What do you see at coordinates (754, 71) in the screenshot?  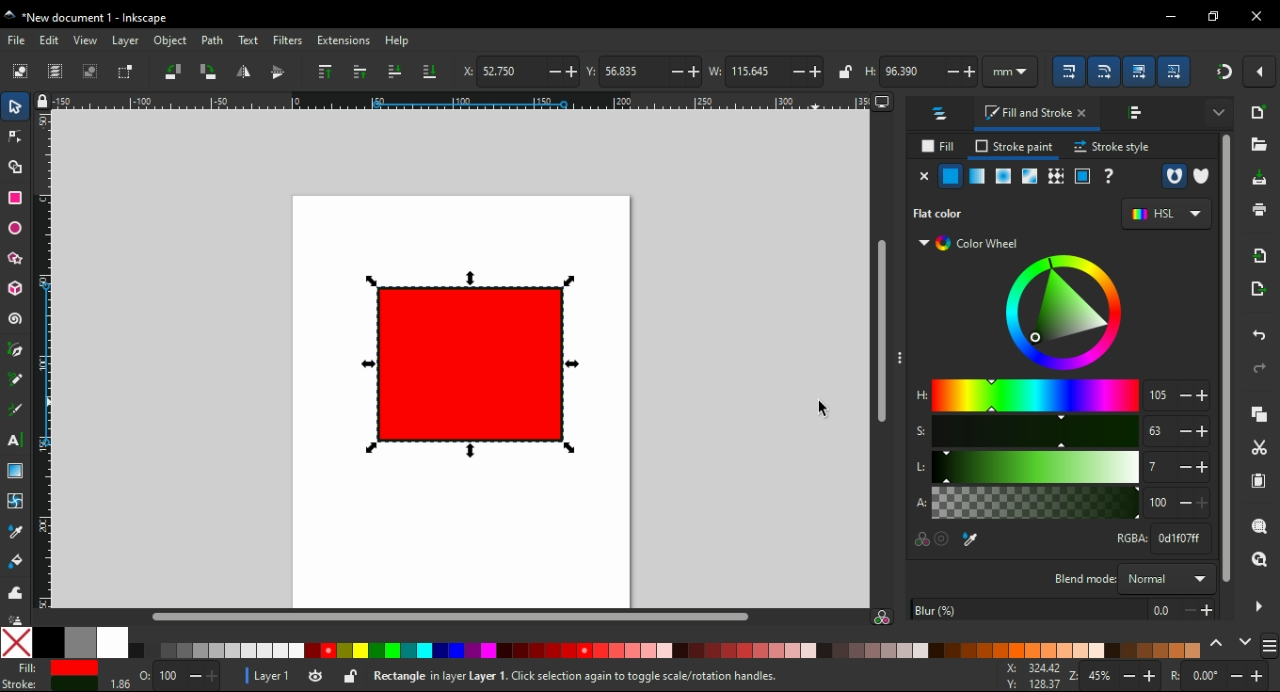 I see `115` at bounding box center [754, 71].